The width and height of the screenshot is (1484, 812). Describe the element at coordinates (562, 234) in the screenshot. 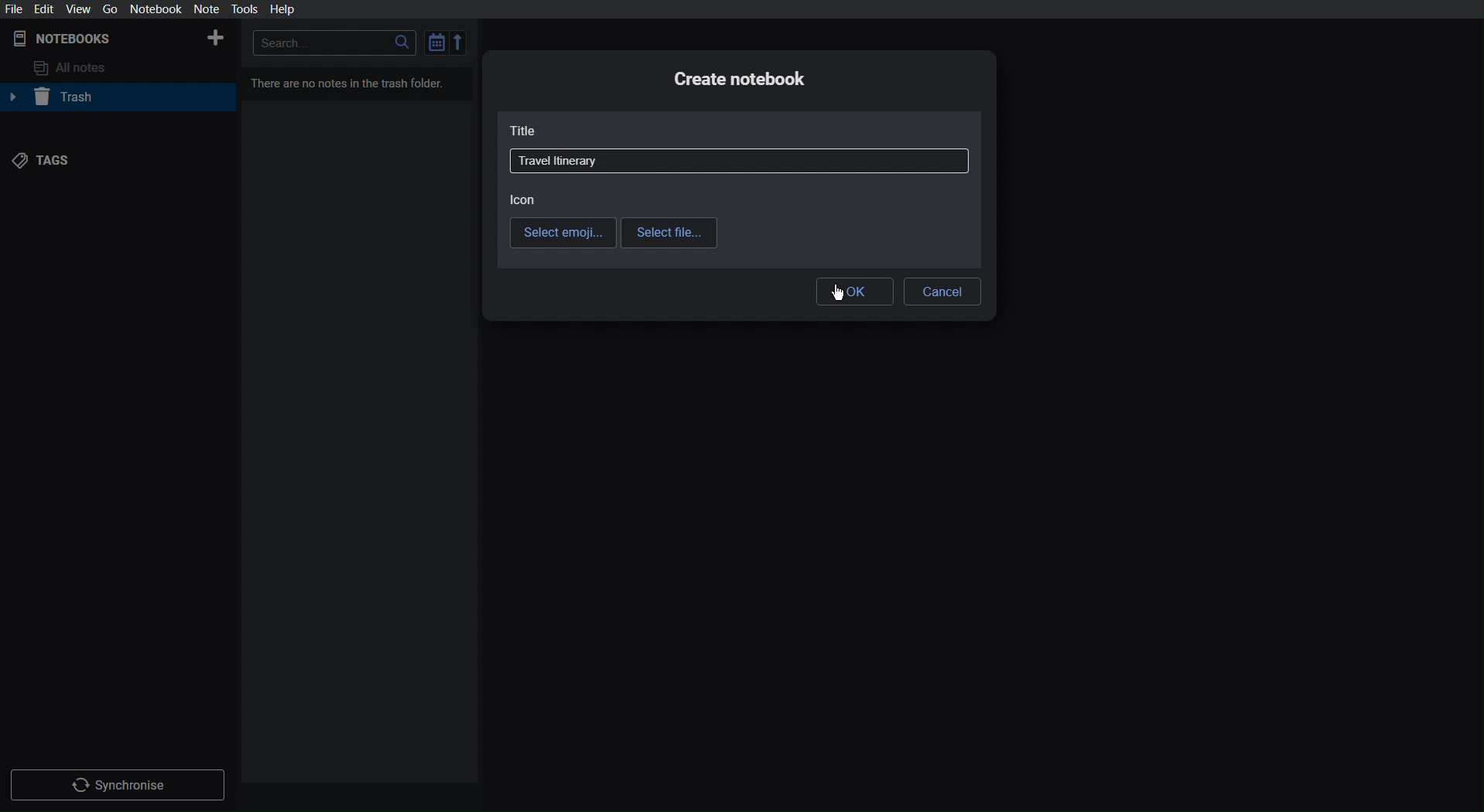

I see `Select emoji` at that location.